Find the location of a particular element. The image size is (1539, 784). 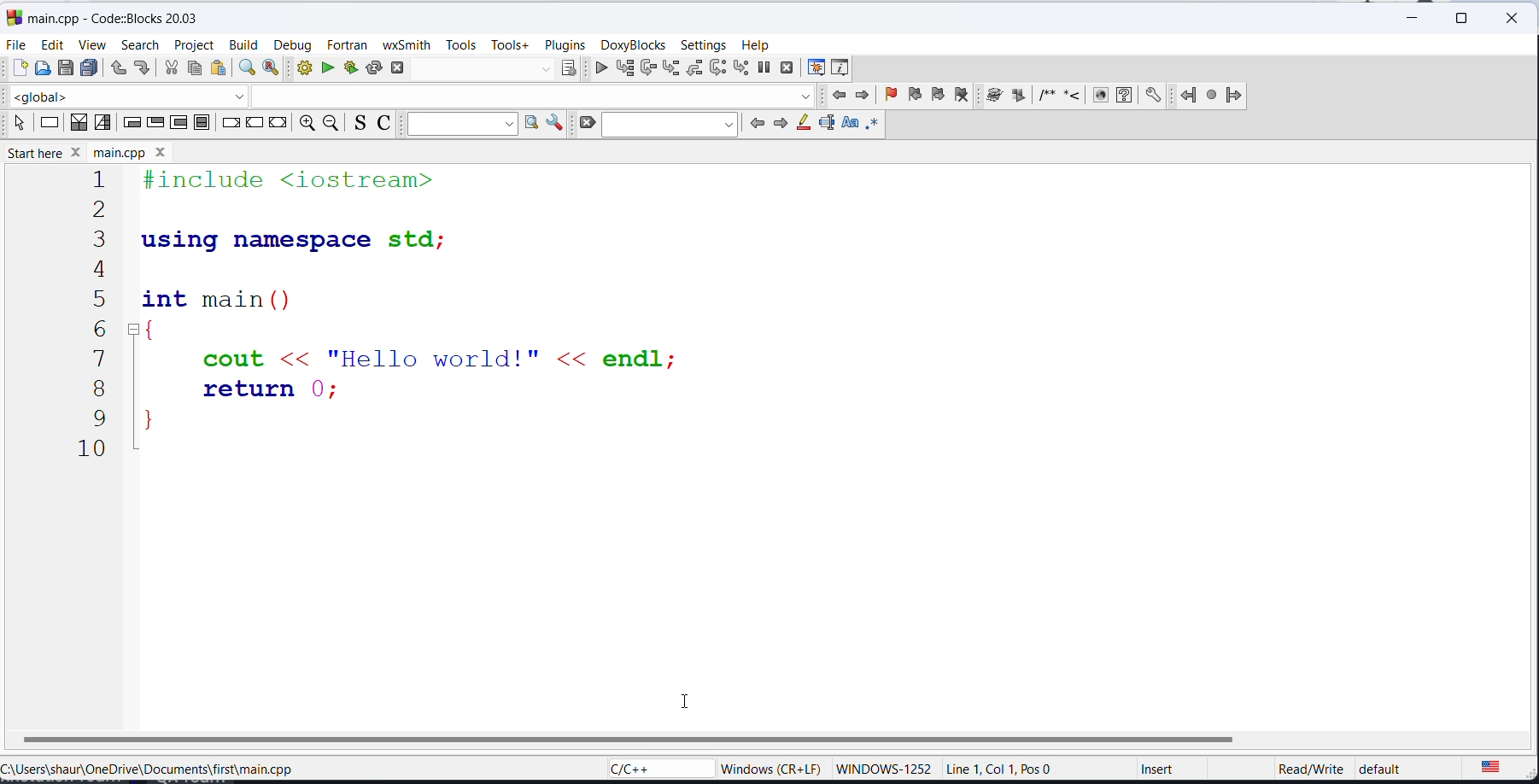

next is located at coordinates (862, 96).